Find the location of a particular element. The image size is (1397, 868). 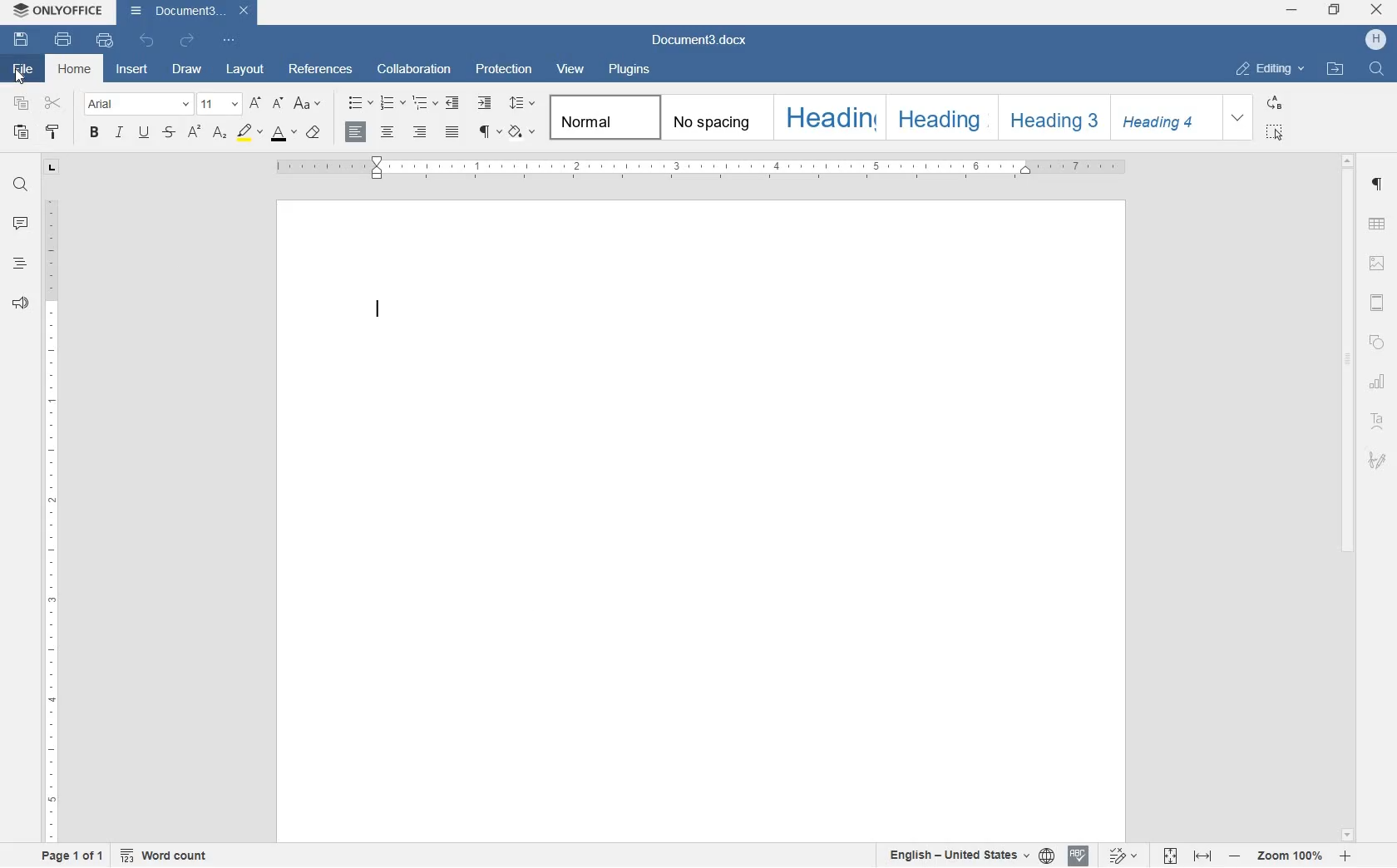

nonprinting characters is located at coordinates (489, 133).